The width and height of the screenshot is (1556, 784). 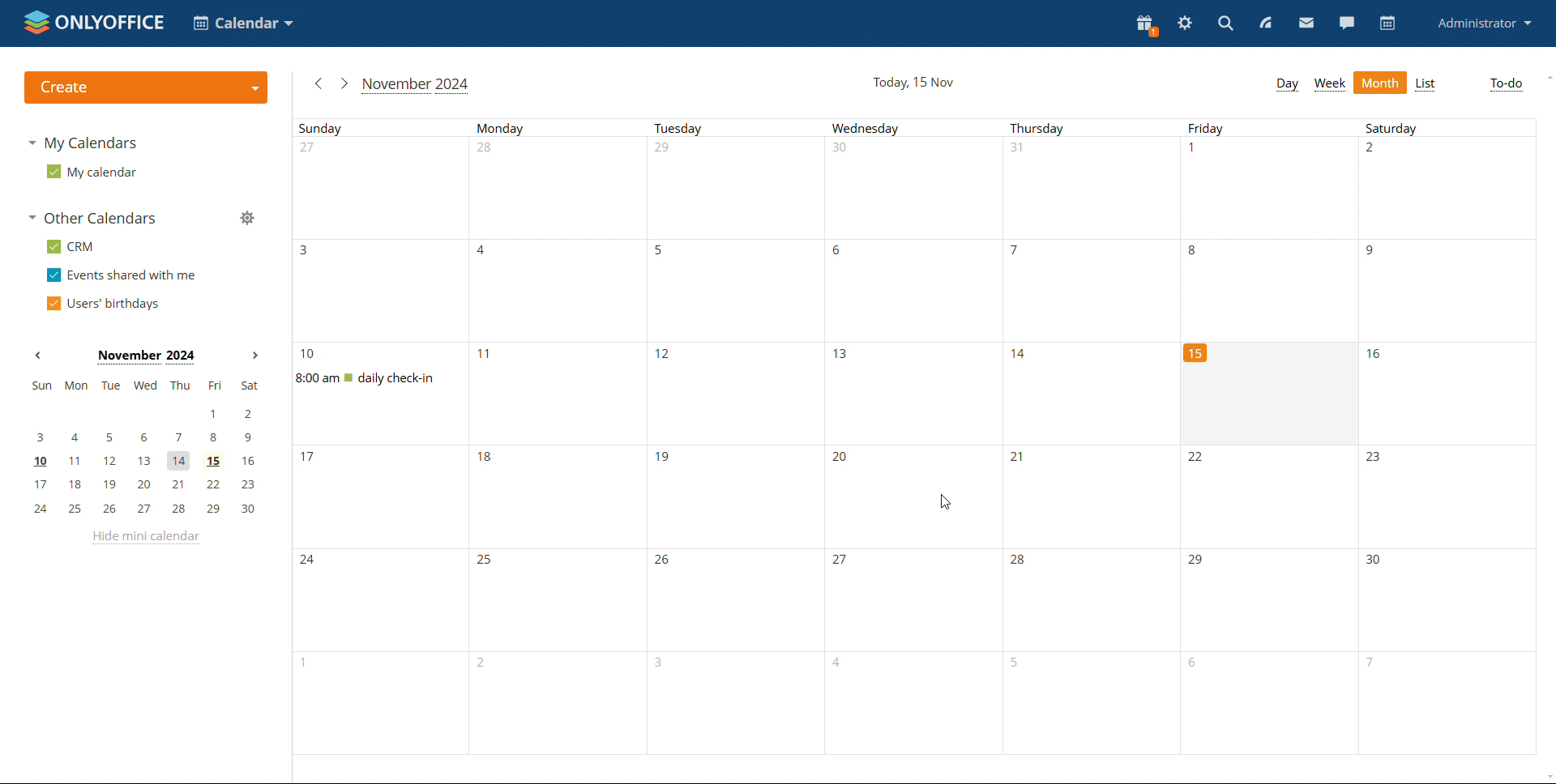 What do you see at coordinates (1089, 128) in the screenshot?
I see `individual day` at bounding box center [1089, 128].